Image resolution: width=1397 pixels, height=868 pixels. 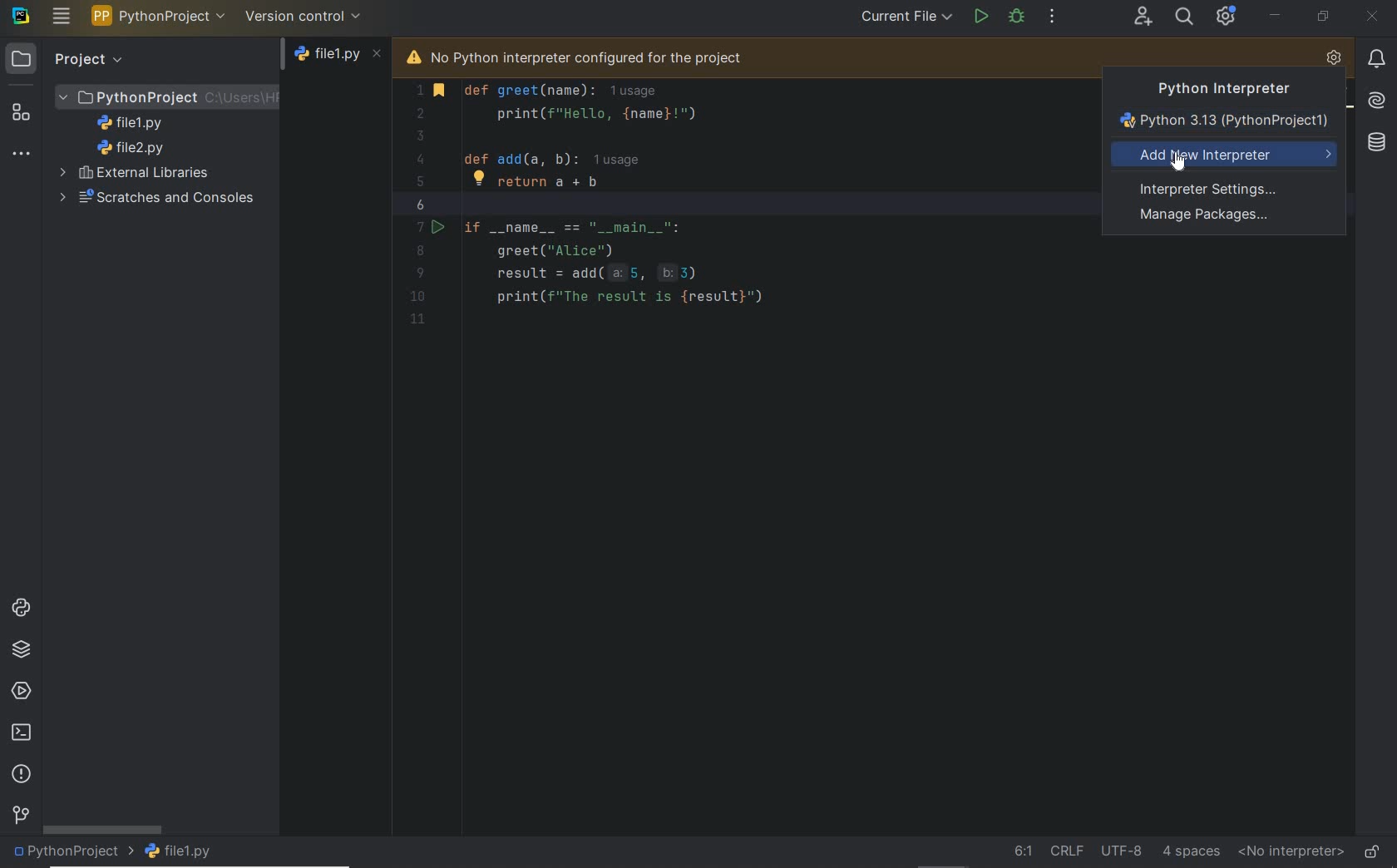 What do you see at coordinates (62, 16) in the screenshot?
I see `main menu` at bounding box center [62, 16].